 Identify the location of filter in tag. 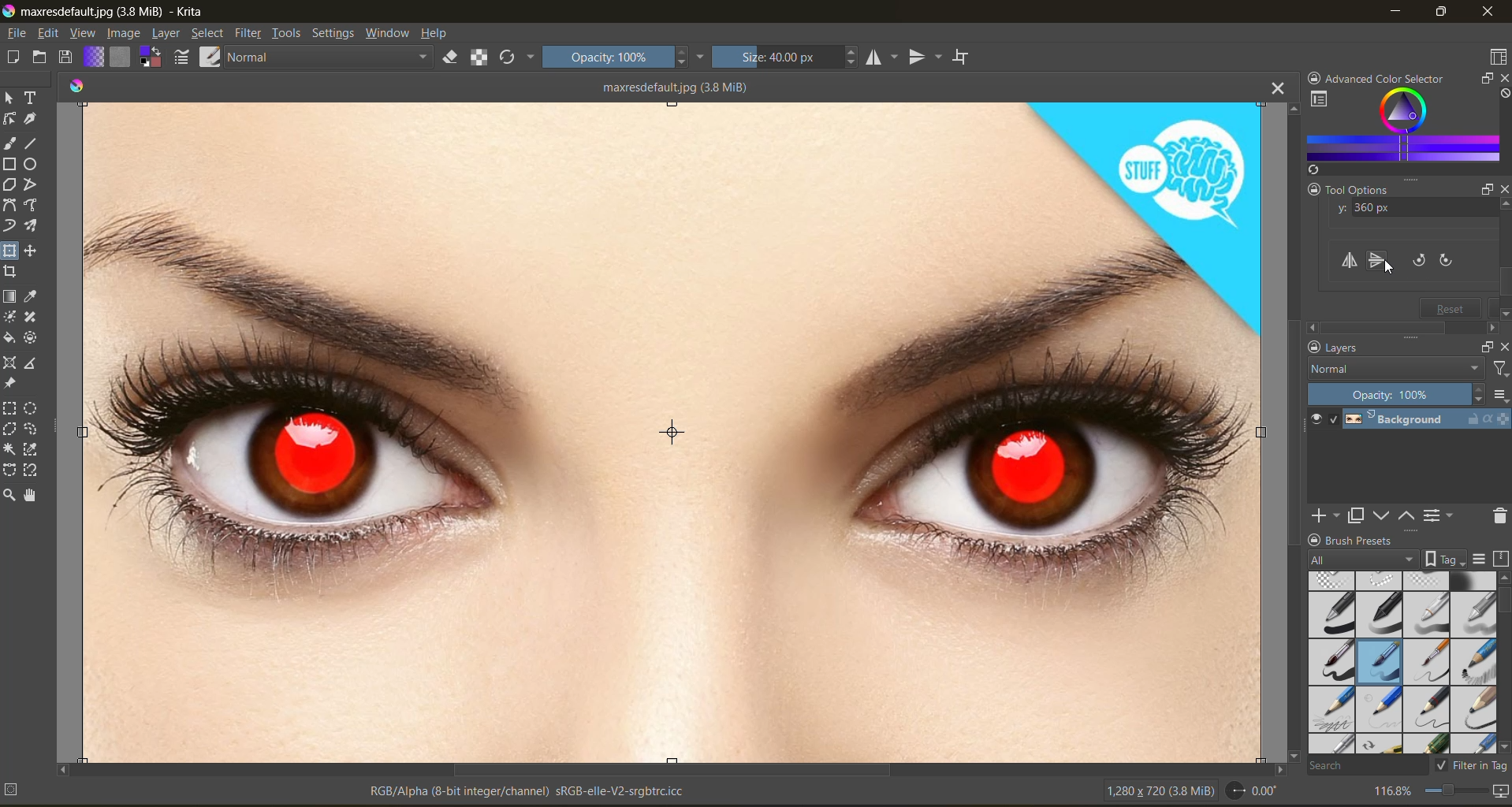
(1473, 765).